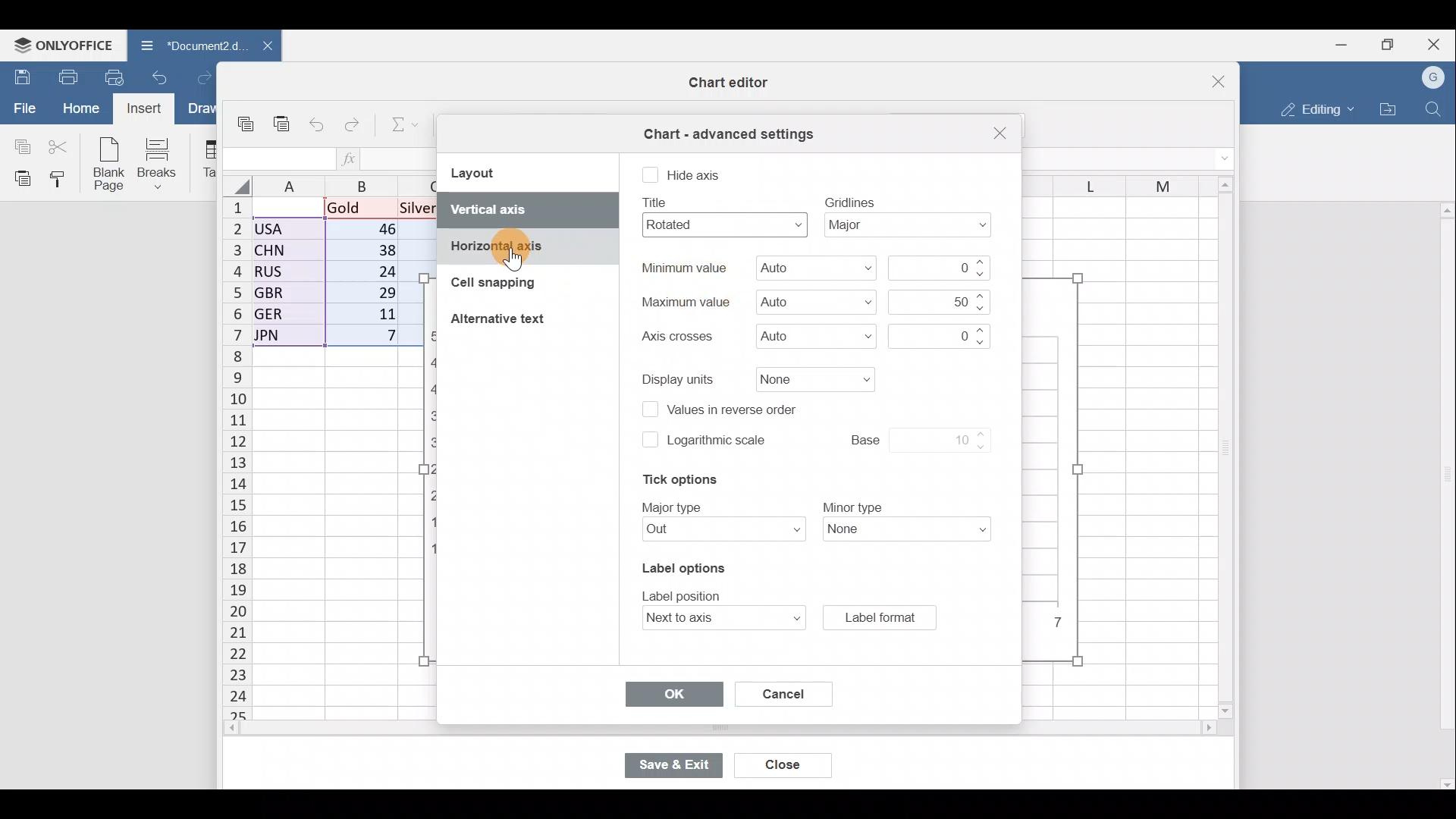  What do you see at coordinates (684, 301) in the screenshot?
I see `text` at bounding box center [684, 301].